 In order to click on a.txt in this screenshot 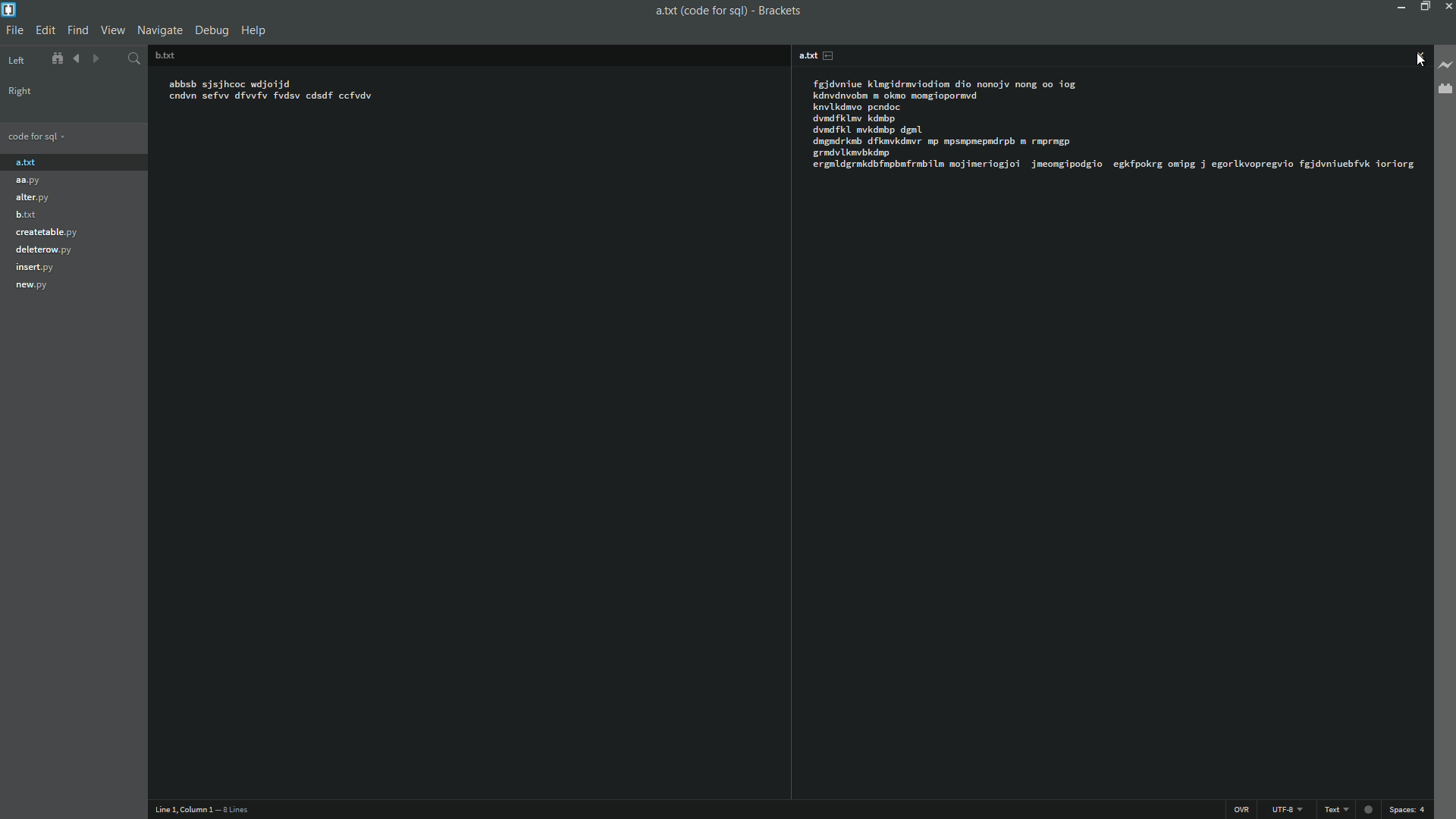, I will do `click(813, 55)`.